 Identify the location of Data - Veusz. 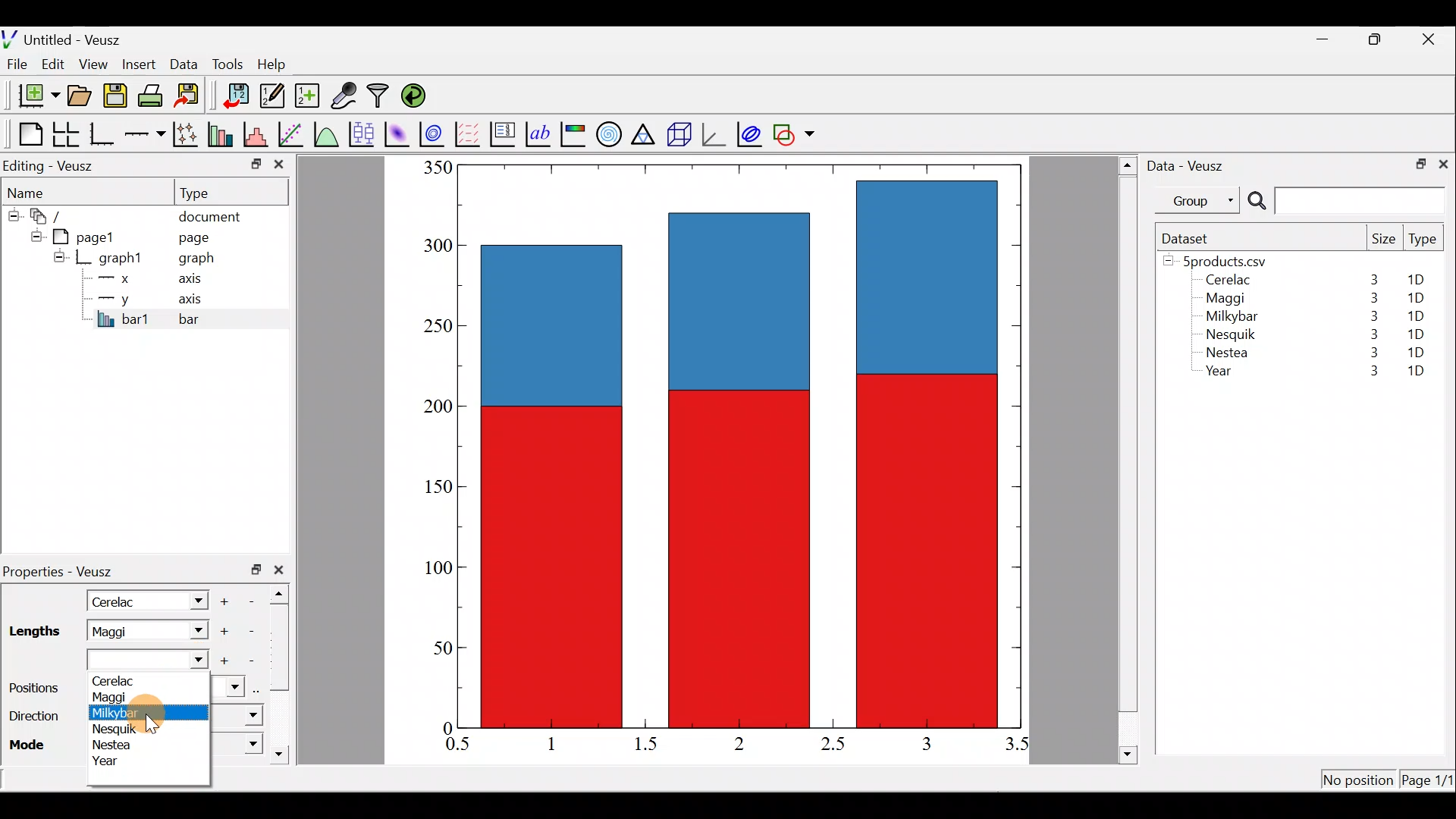
(1189, 164).